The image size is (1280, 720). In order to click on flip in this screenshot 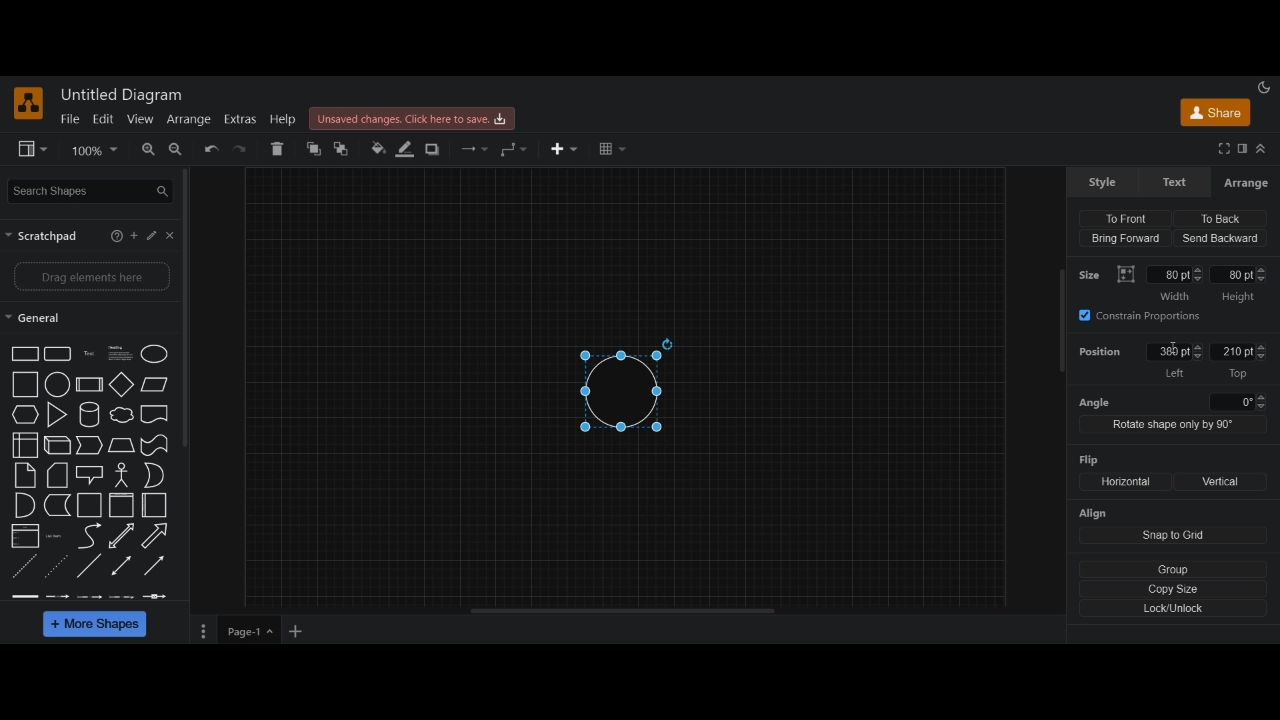, I will do `click(1091, 459)`.